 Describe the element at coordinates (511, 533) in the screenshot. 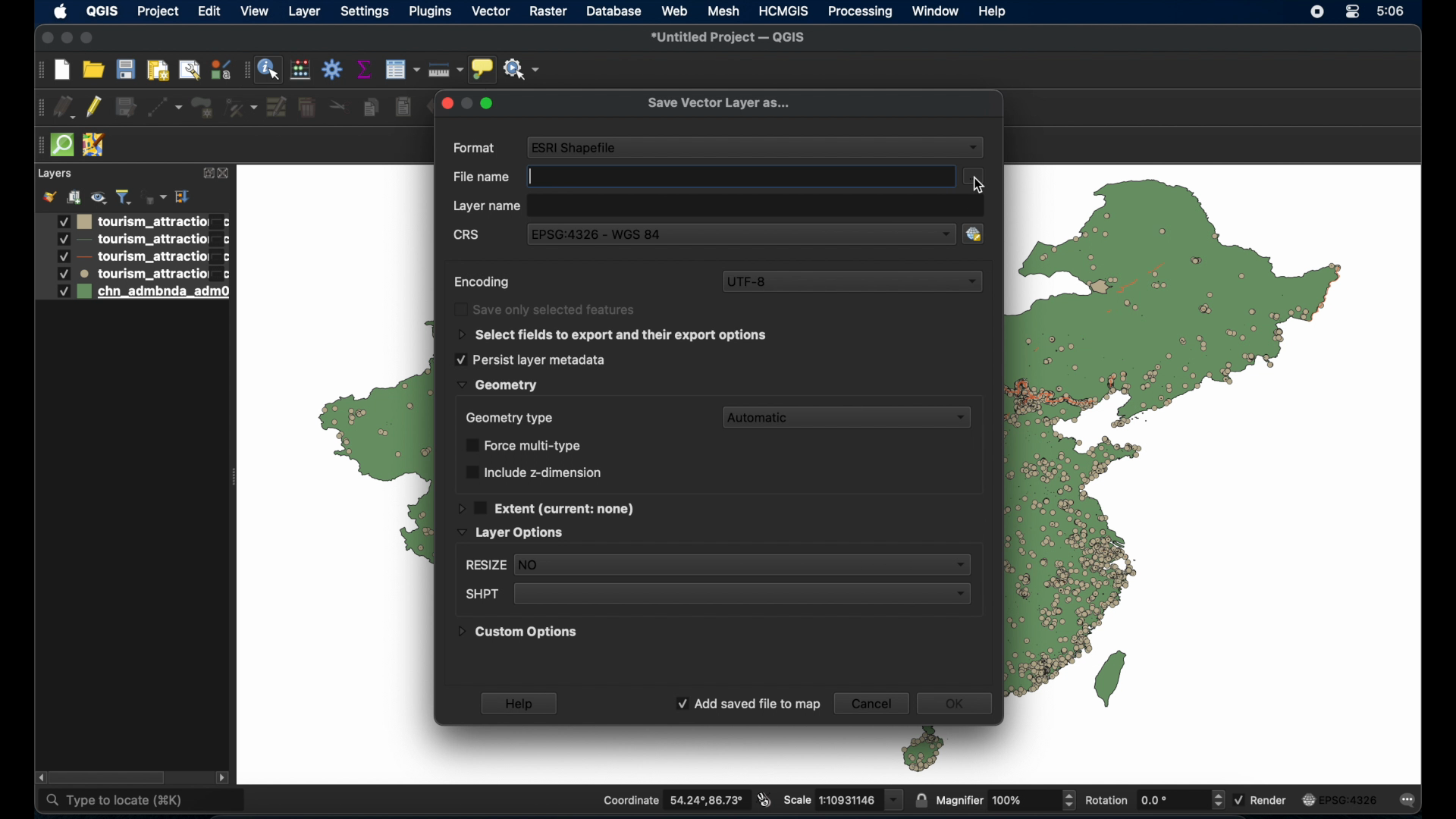

I see `layer options` at that location.